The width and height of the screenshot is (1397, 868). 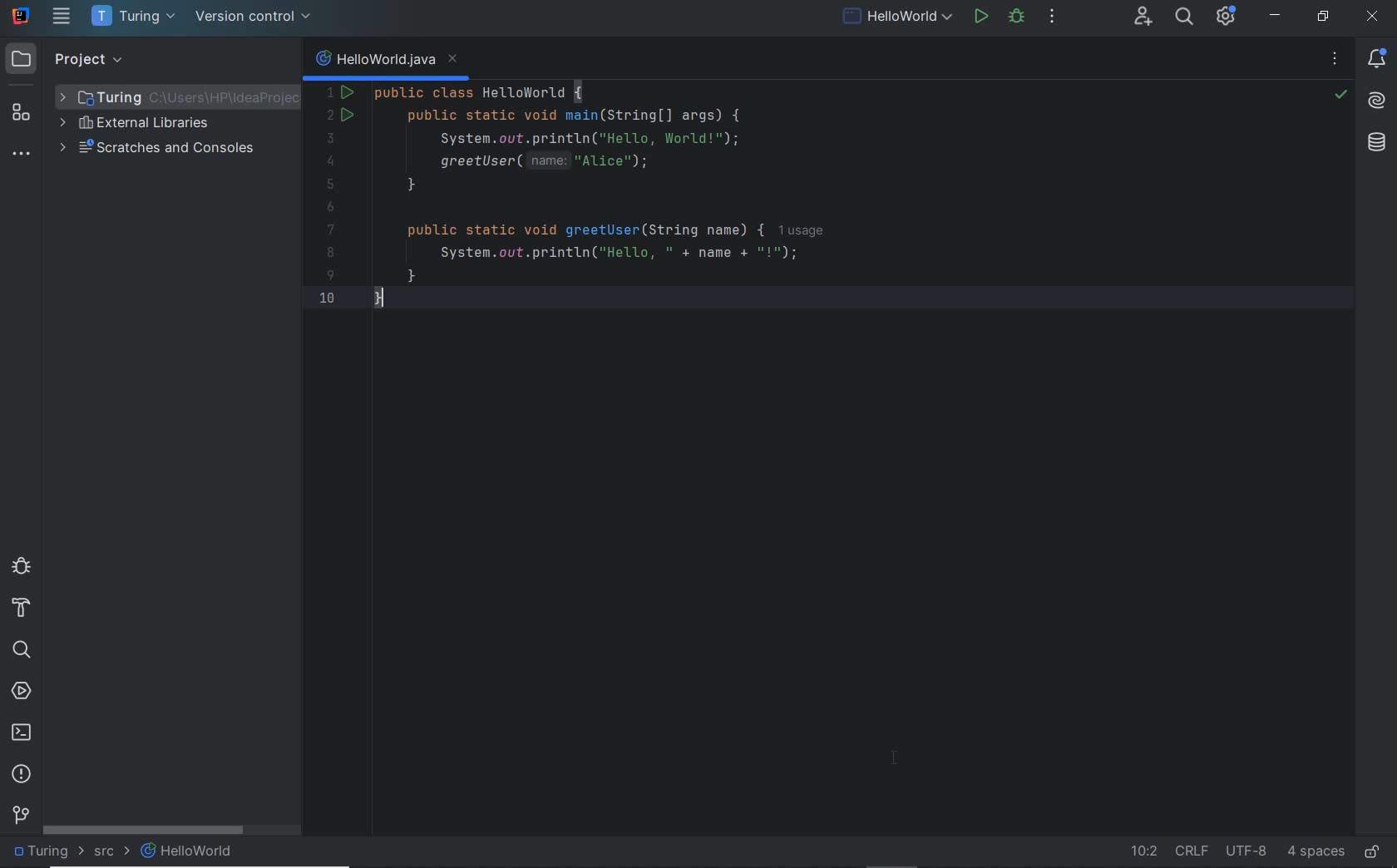 What do you see at coordinates (134, 125) in the screenshot?
I see `external libraries` at bounding box center [134, 125].